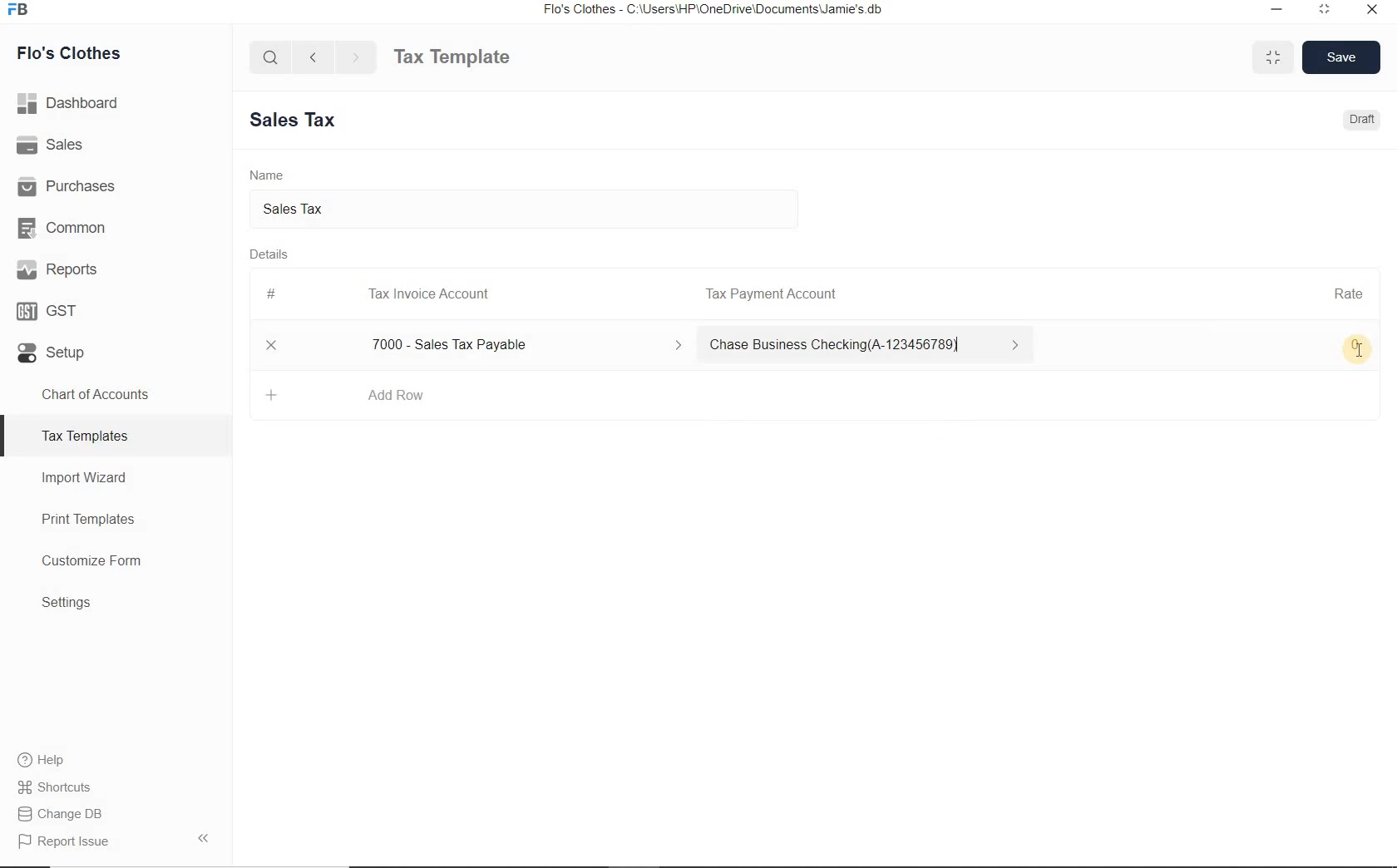  What do you see at coordinates (115, 394) in the screenshot?
I see `Chart of Accounts` at bounding box center [115, 394].